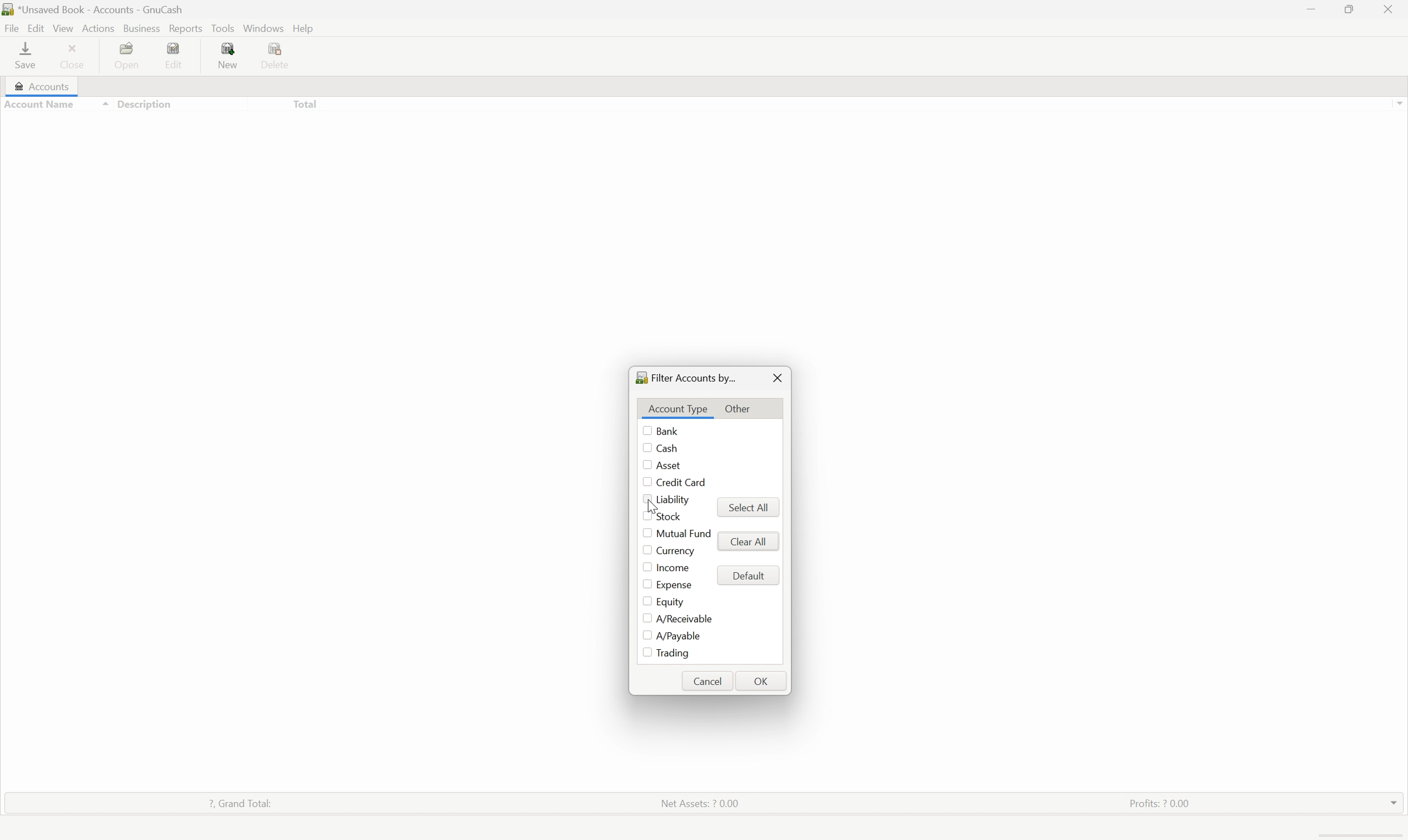 This screenshot has height=840, width=1408. Describe the element at coordinates (643, 483) in the screenshot. I see `Checkbox` at that location.